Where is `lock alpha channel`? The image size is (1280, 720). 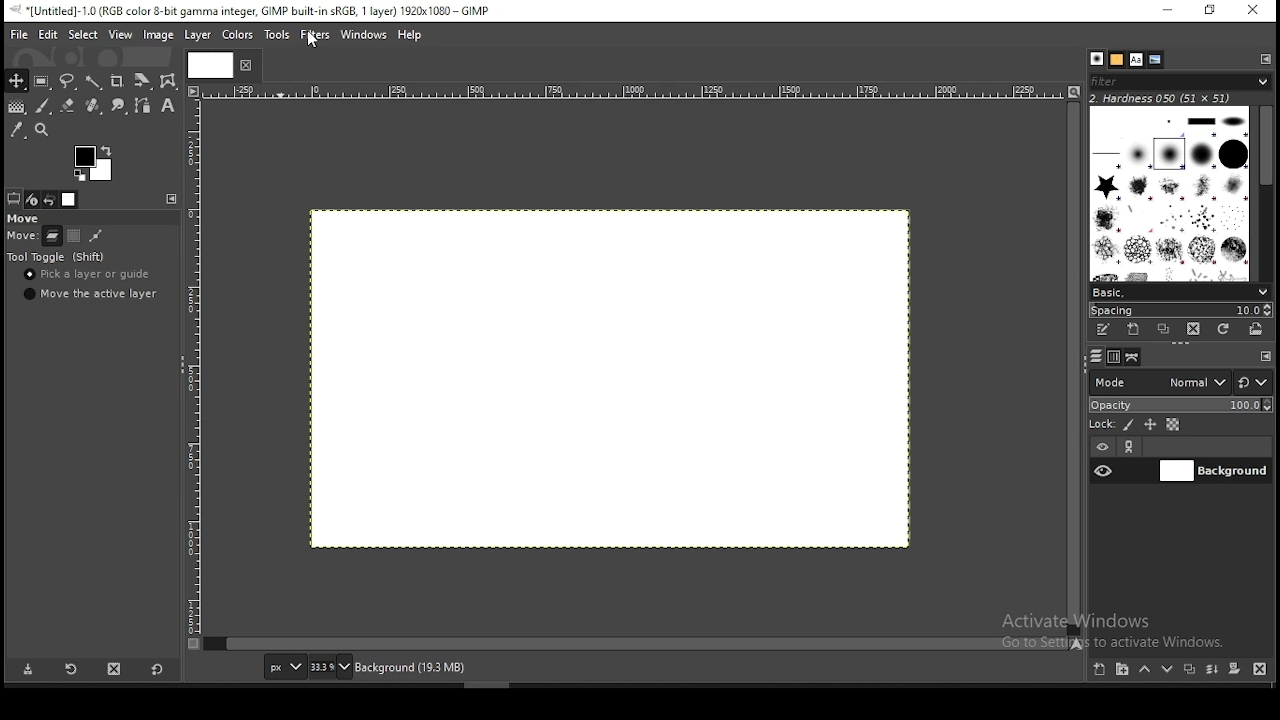
lock alpha channel is located at coordinates (1174, 424).